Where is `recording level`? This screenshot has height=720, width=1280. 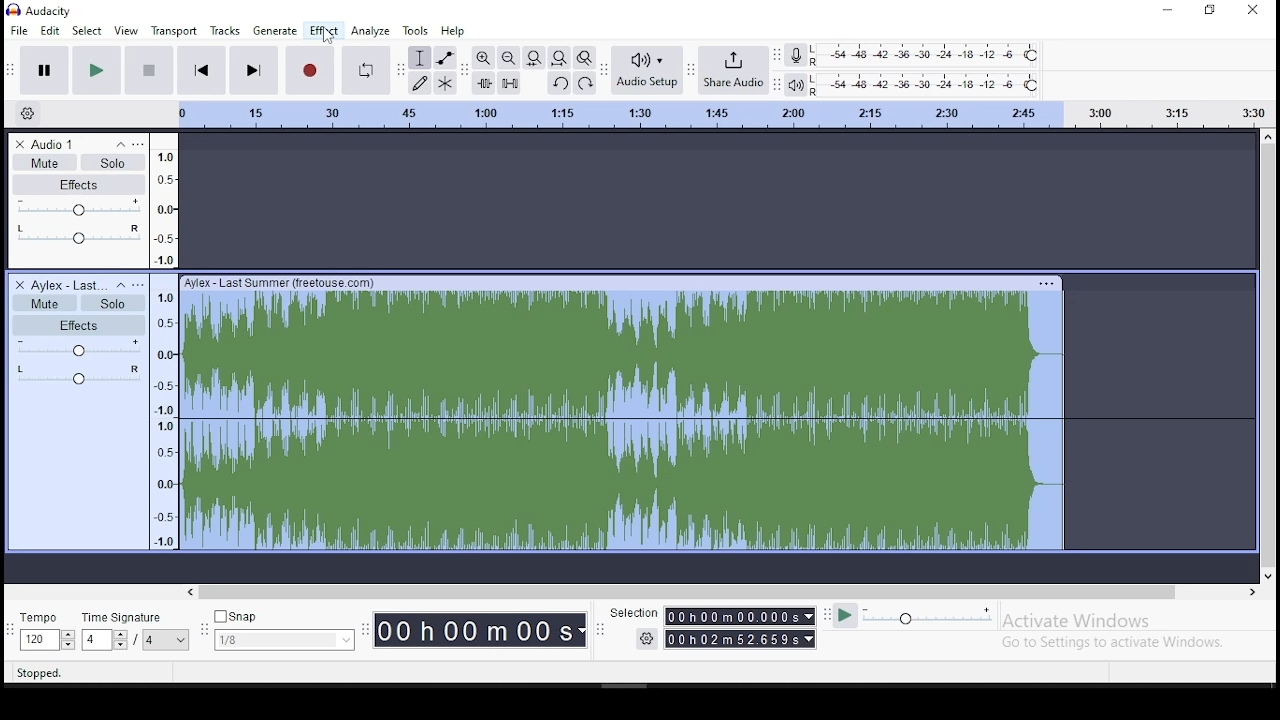 recording level is located at coordinates (928, 56).